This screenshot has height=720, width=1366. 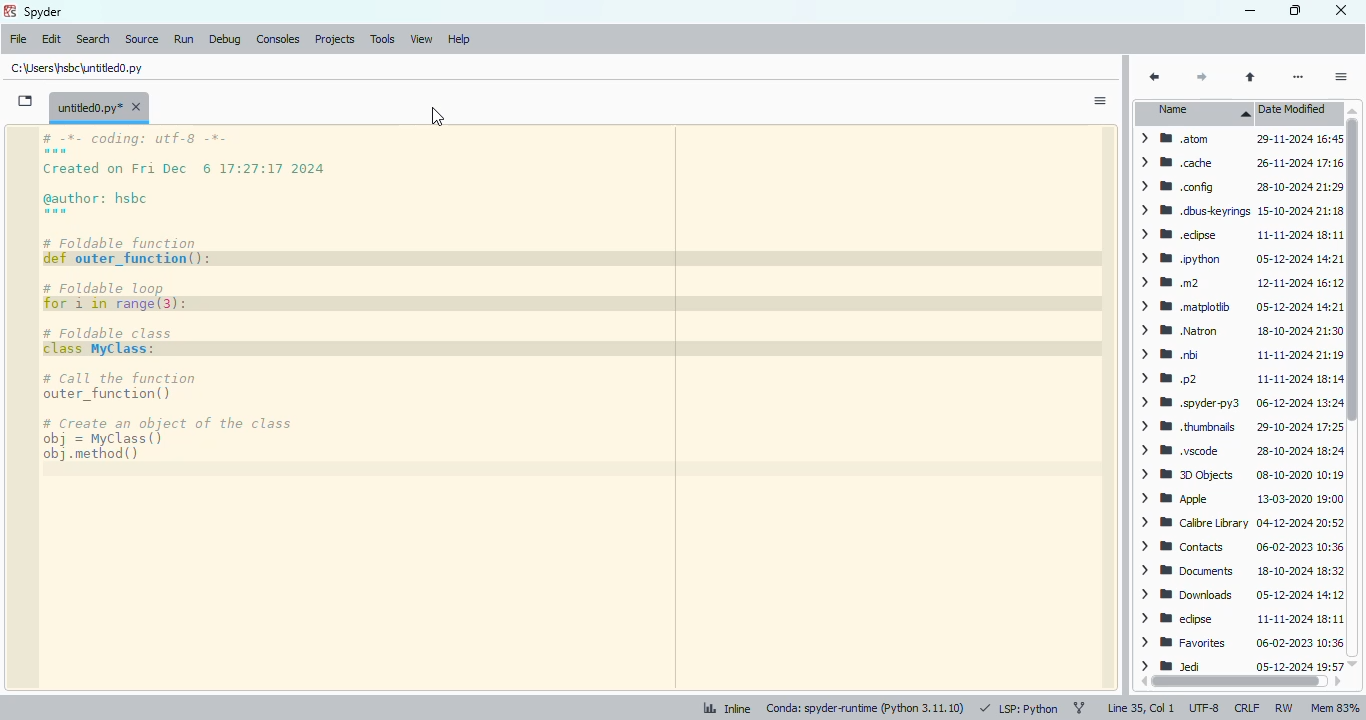 What do you see at coordinates (92, 38) in the screenshot?
I see `search` at bounding box center [92, 38].